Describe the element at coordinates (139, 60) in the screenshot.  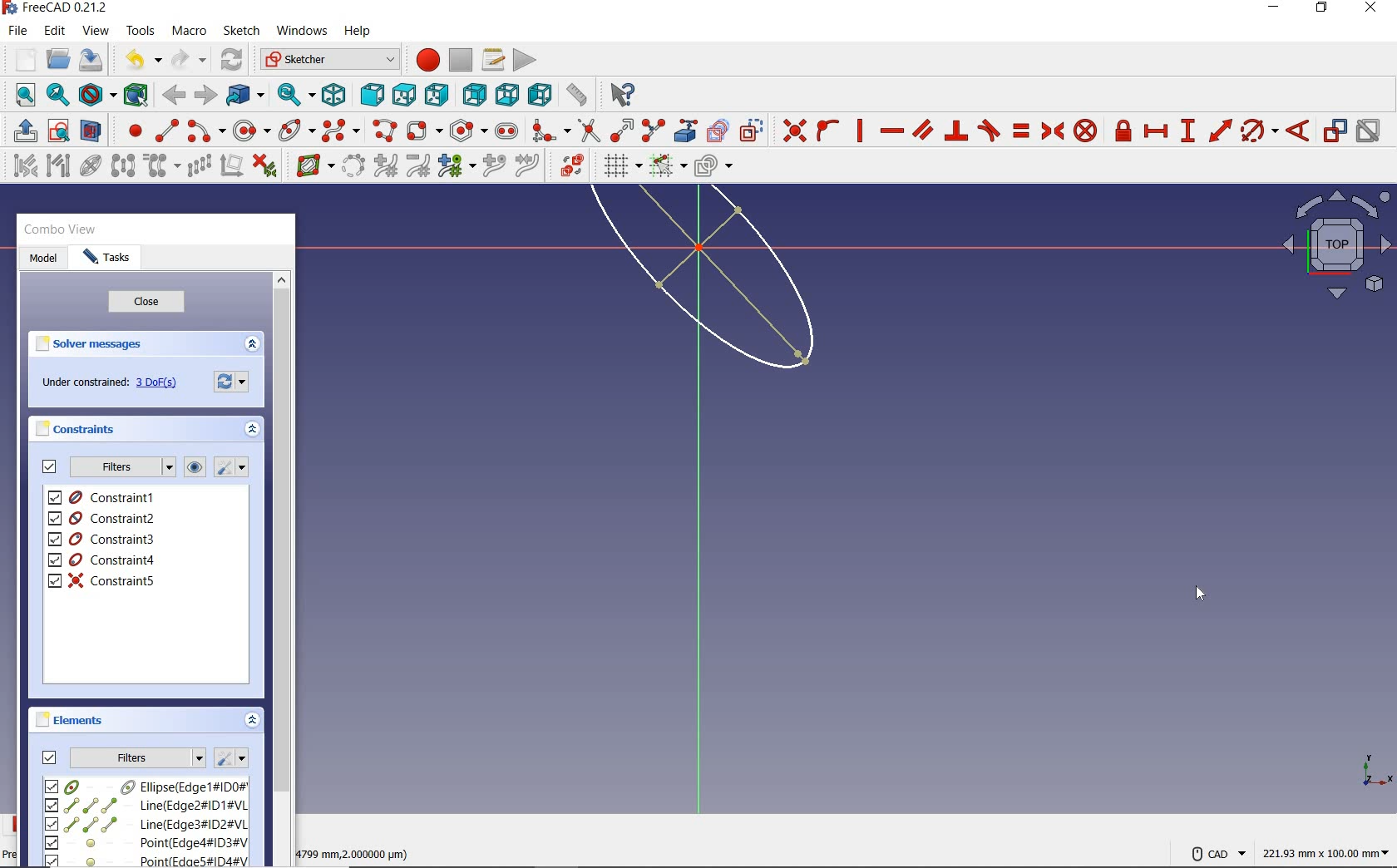
I see `undo` at that location.